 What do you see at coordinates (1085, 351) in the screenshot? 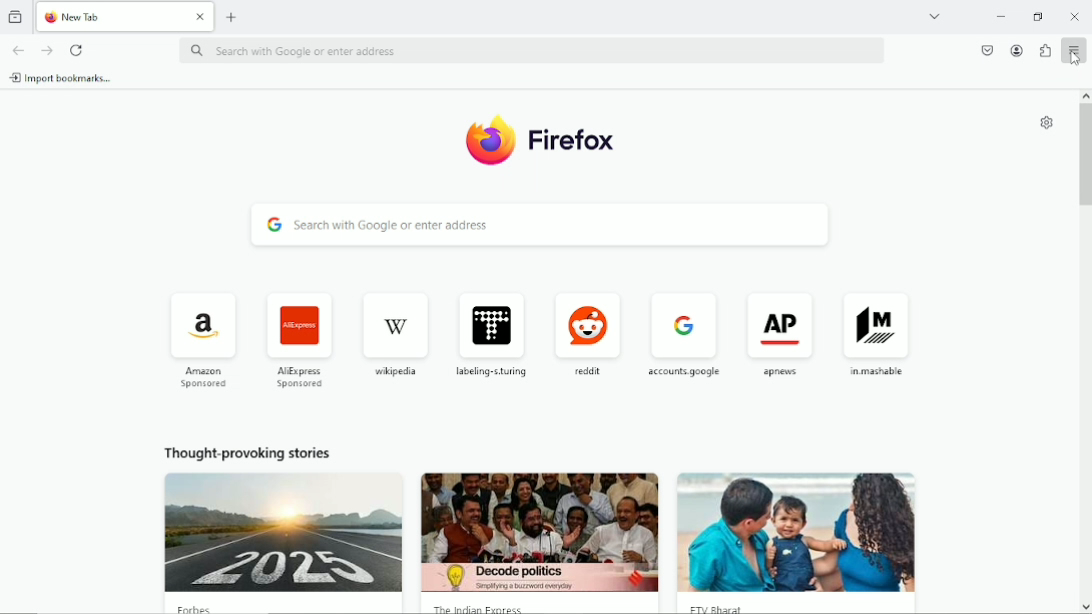
I see `vertical scrollbar` at bounding box center [1085, 351].